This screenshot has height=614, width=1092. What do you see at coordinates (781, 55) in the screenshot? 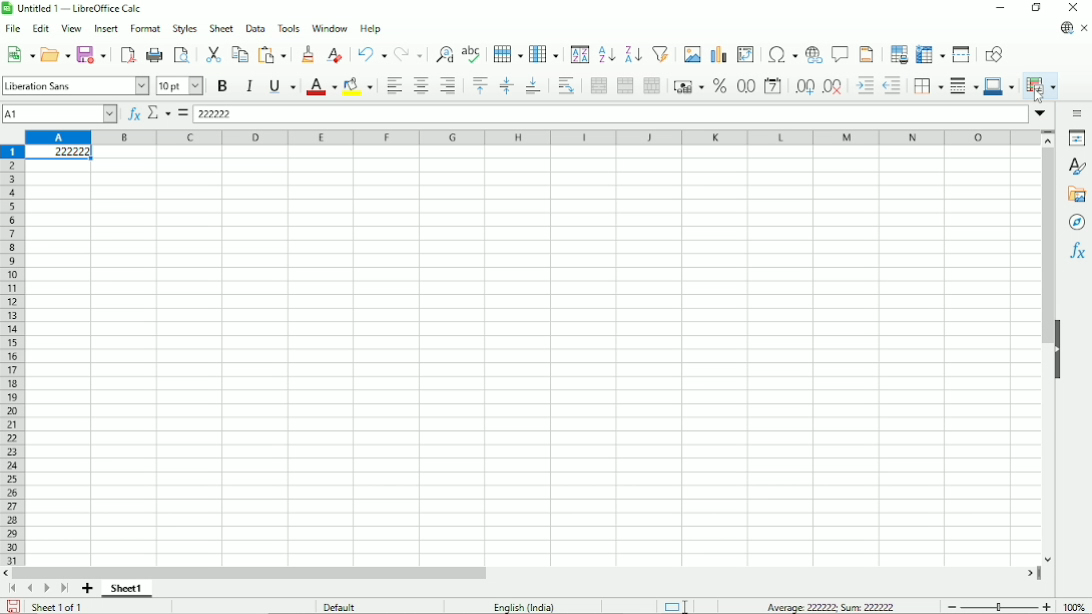
I see `Insert special characters` at bounding box center [781, 55].